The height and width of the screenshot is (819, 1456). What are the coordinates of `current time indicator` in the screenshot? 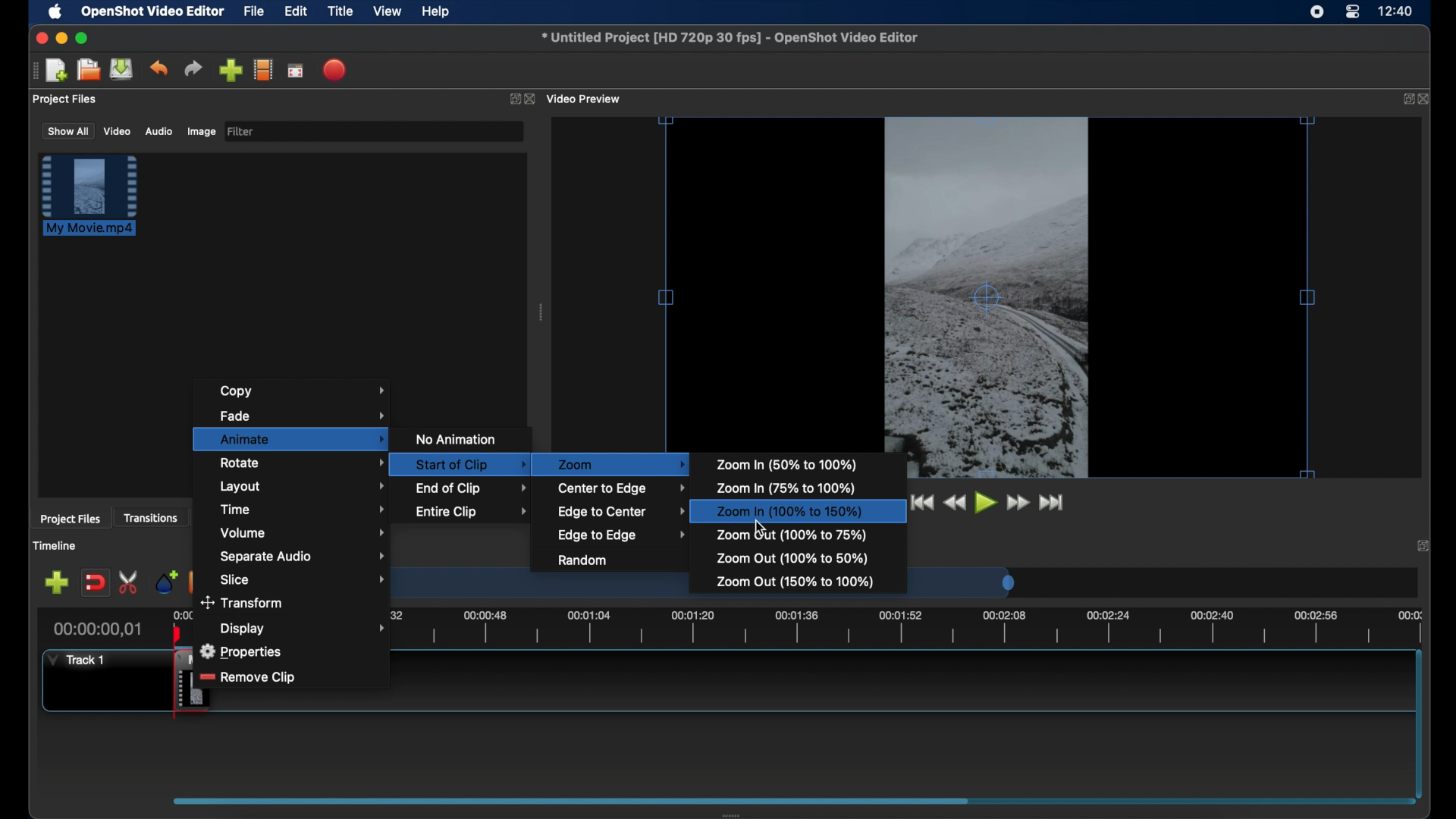 It's located at (99, 629).